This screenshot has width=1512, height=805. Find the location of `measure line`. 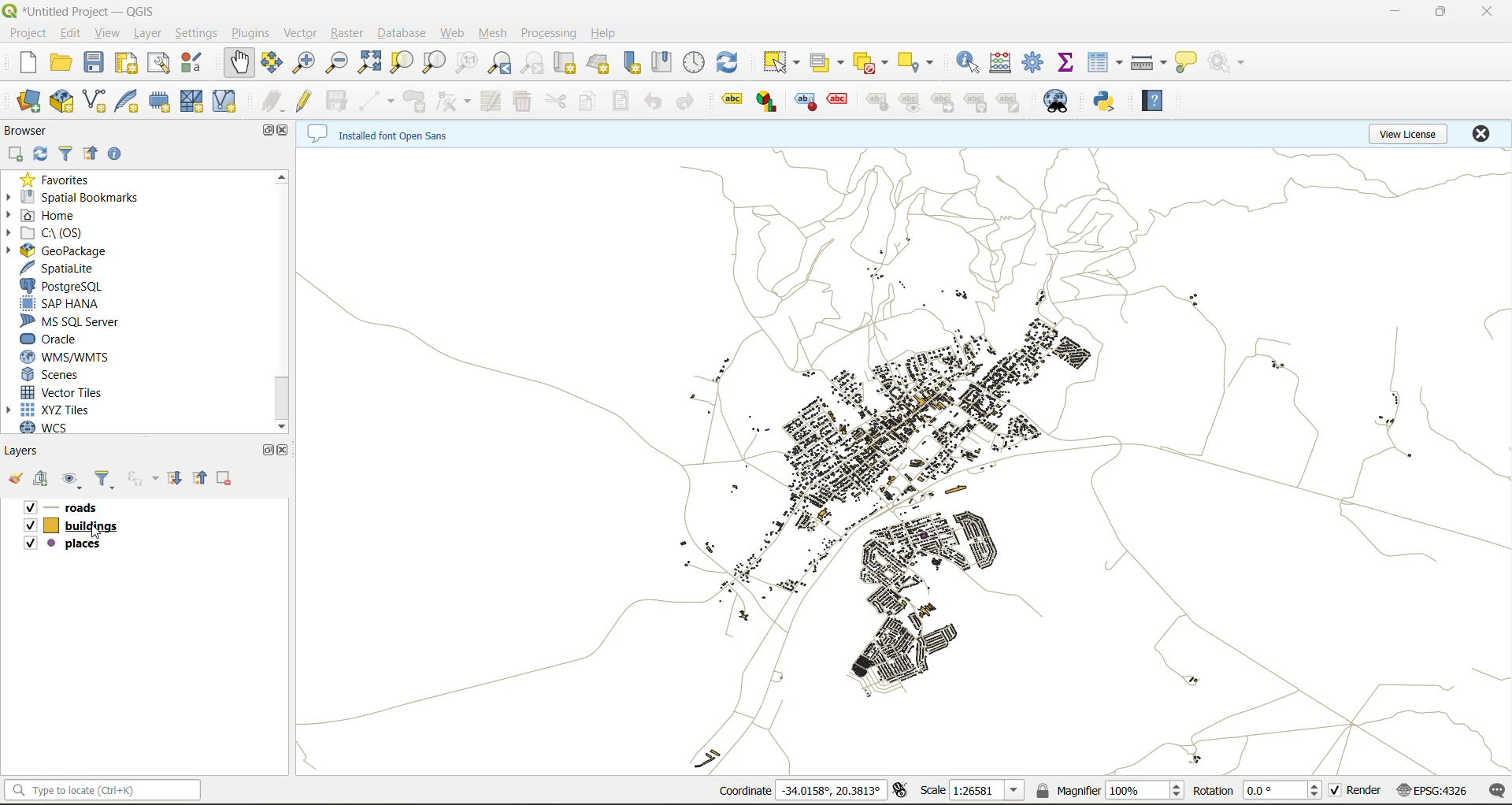

measure line is located at coordinates (1151, 61).